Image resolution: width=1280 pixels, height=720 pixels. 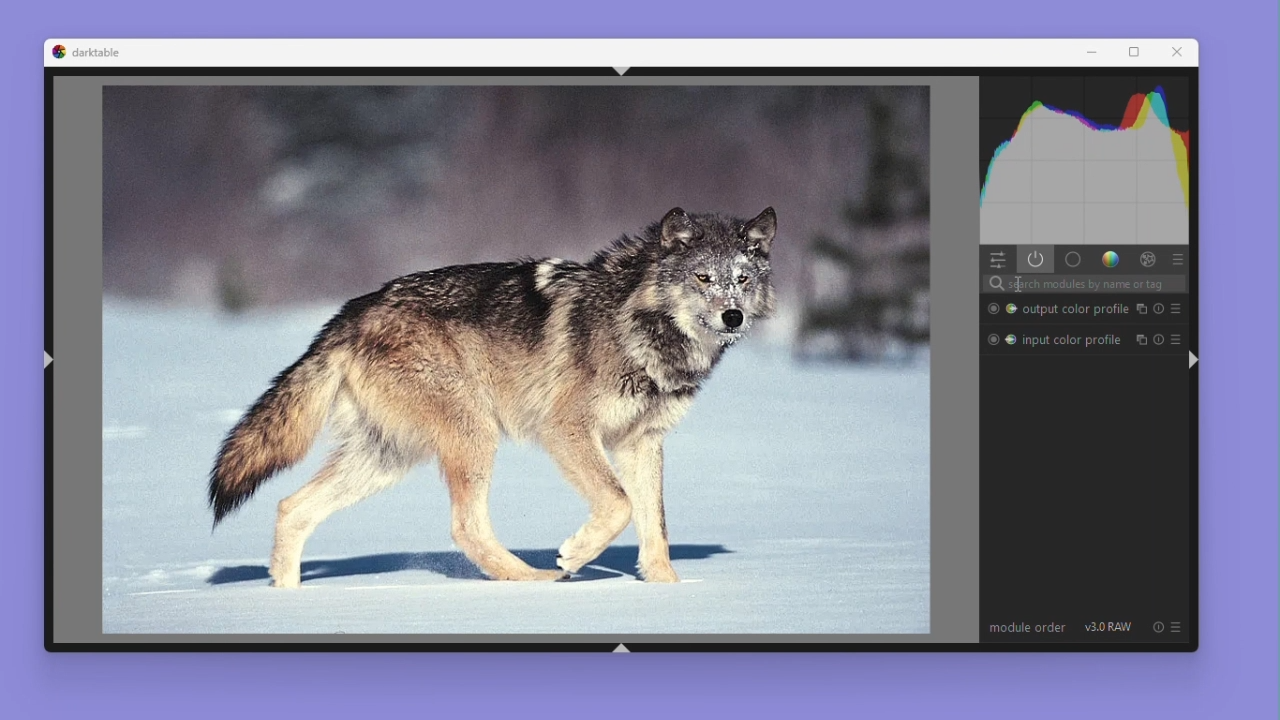 What do you see at coordinates (1139, 337) in the screenshot?
I see `Instance` at bounding box center [1139, 337].